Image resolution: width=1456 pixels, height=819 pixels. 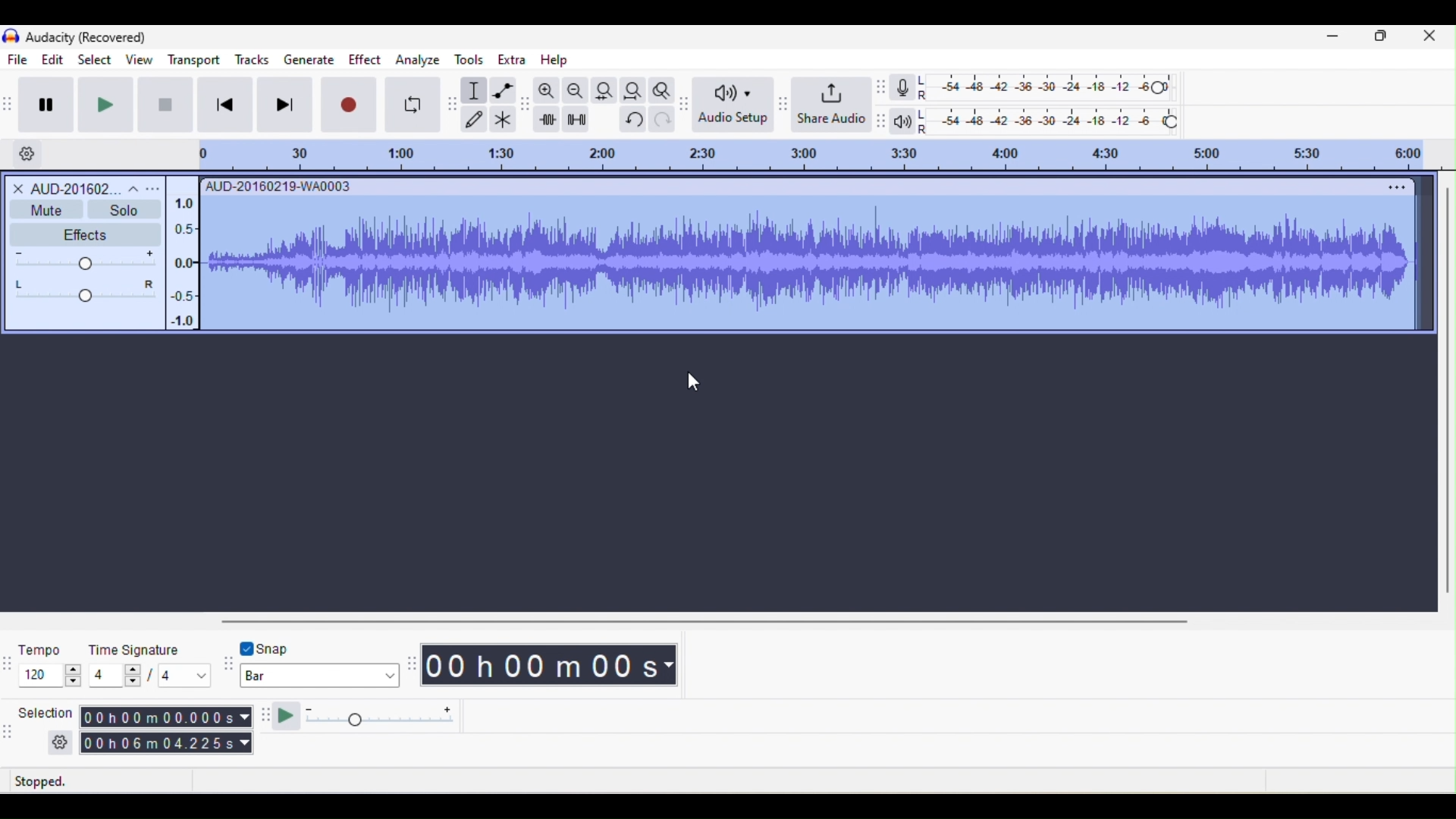 I want to click on icon, so click(x=10, y=37).